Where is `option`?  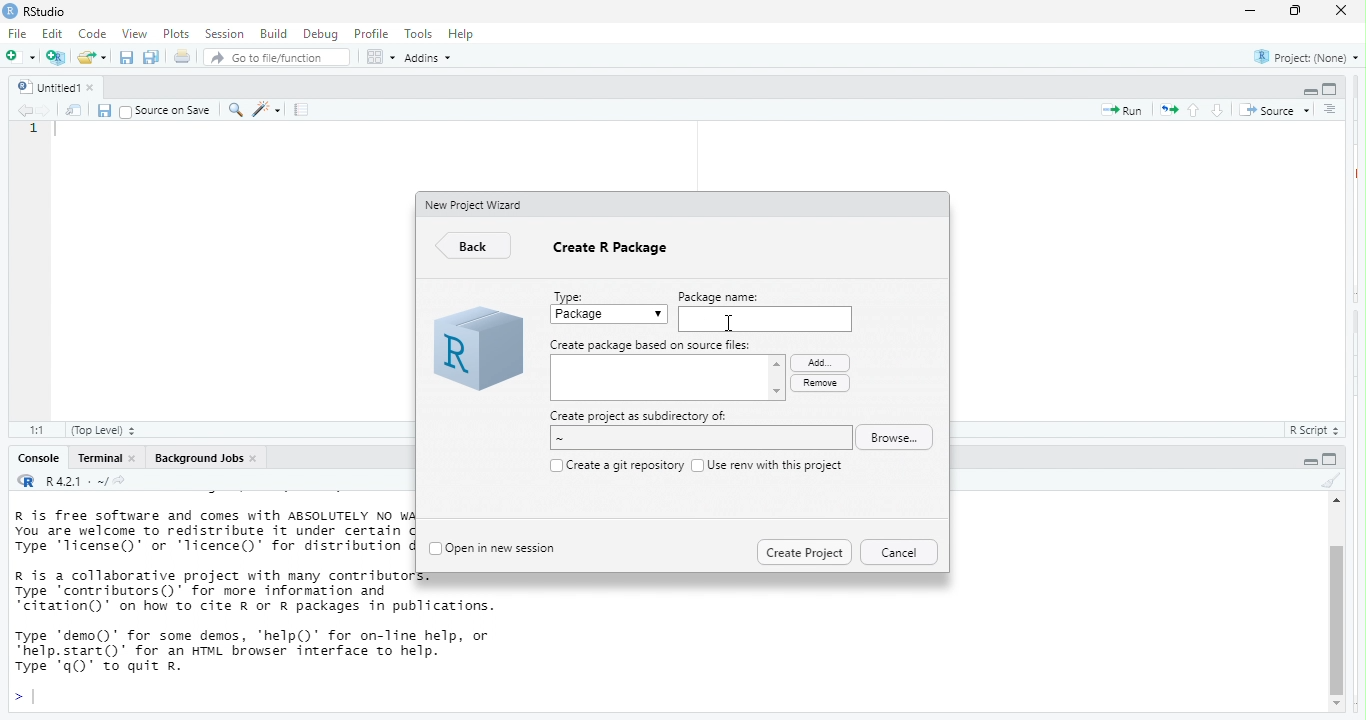
option is located at coordinates (379, 57).